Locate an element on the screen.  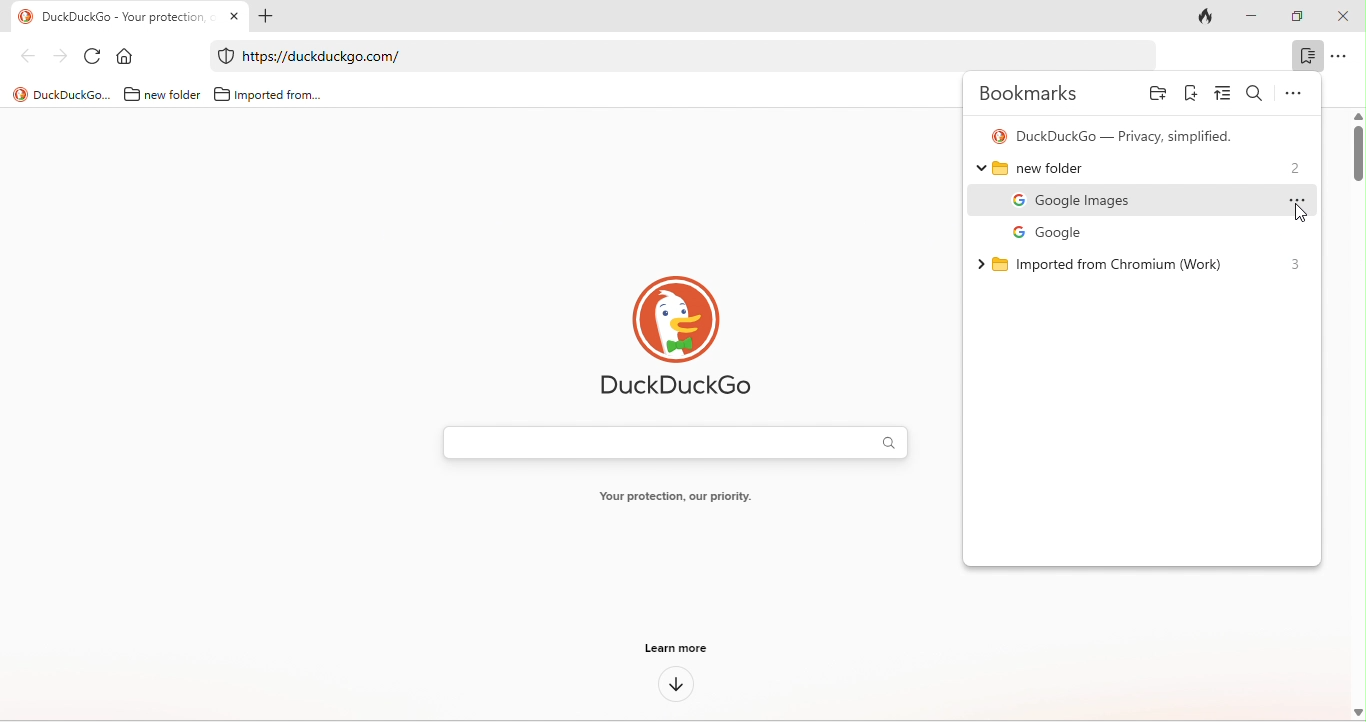
track tab is located at coordinates (1211, 15).